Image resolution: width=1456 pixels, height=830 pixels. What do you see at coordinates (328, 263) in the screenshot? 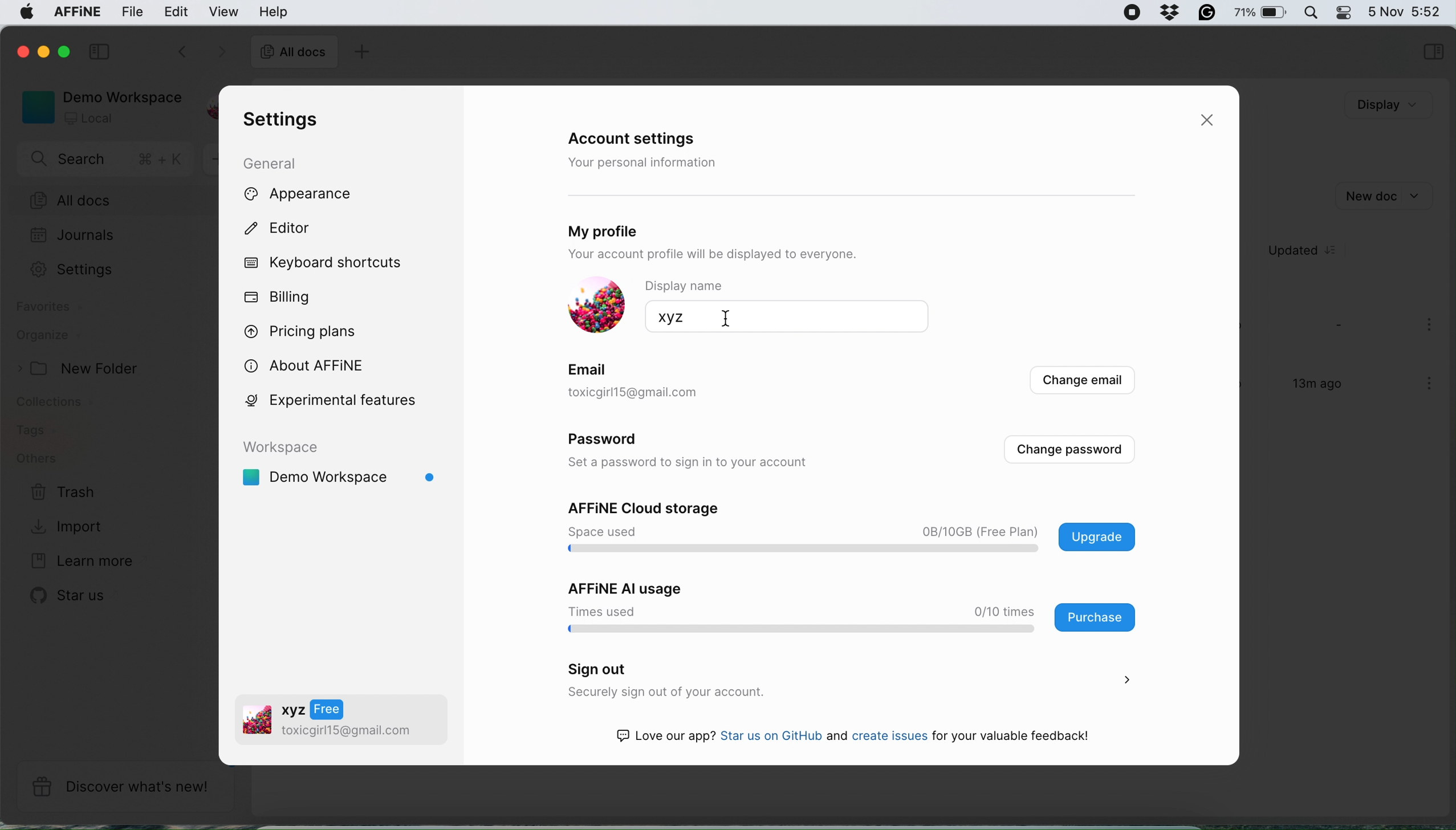
I see `keyboard shortcuts` at bounding box center [328, 263].